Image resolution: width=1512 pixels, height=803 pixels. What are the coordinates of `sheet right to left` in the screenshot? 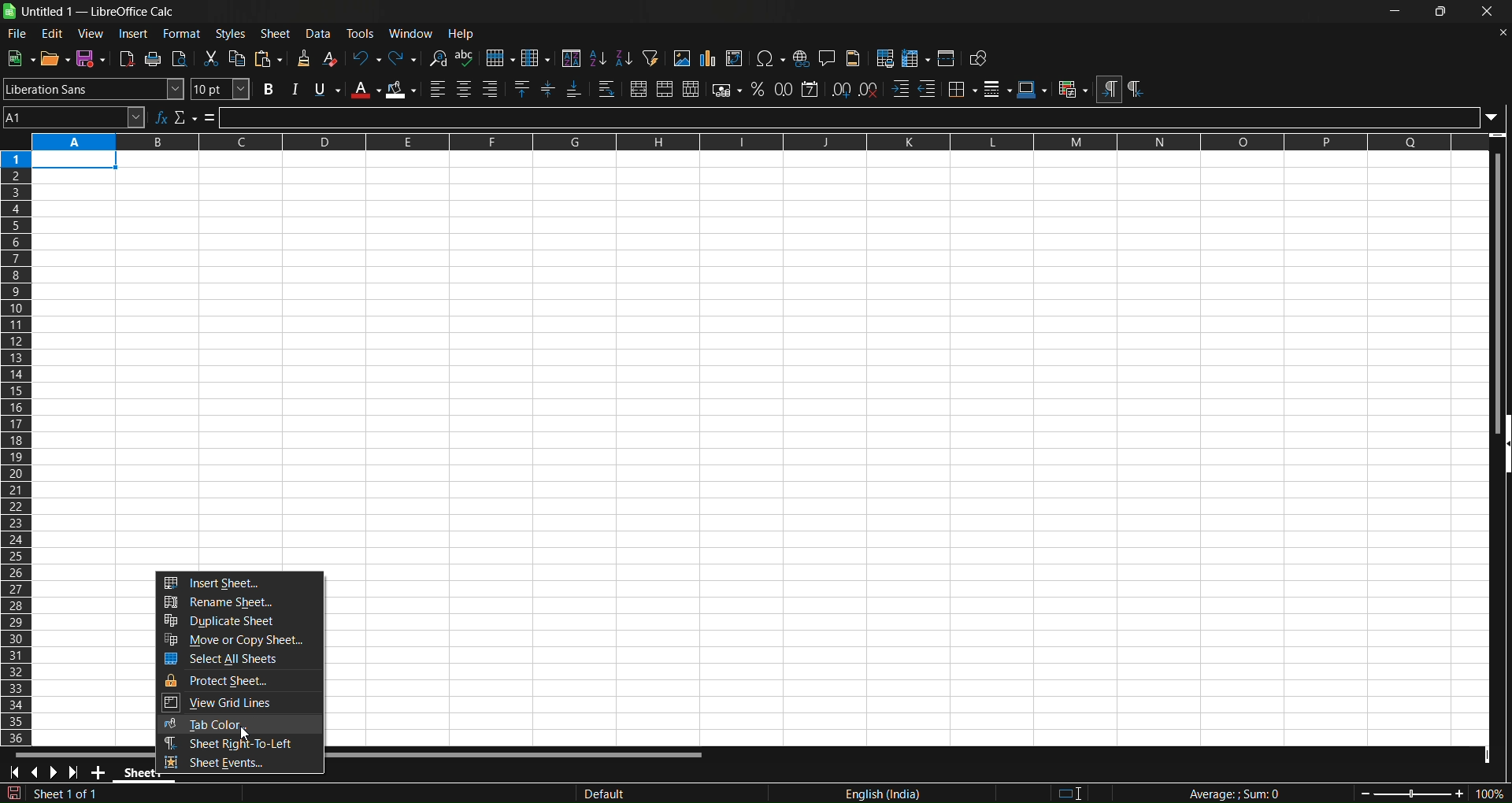 It's located at (239, 745).